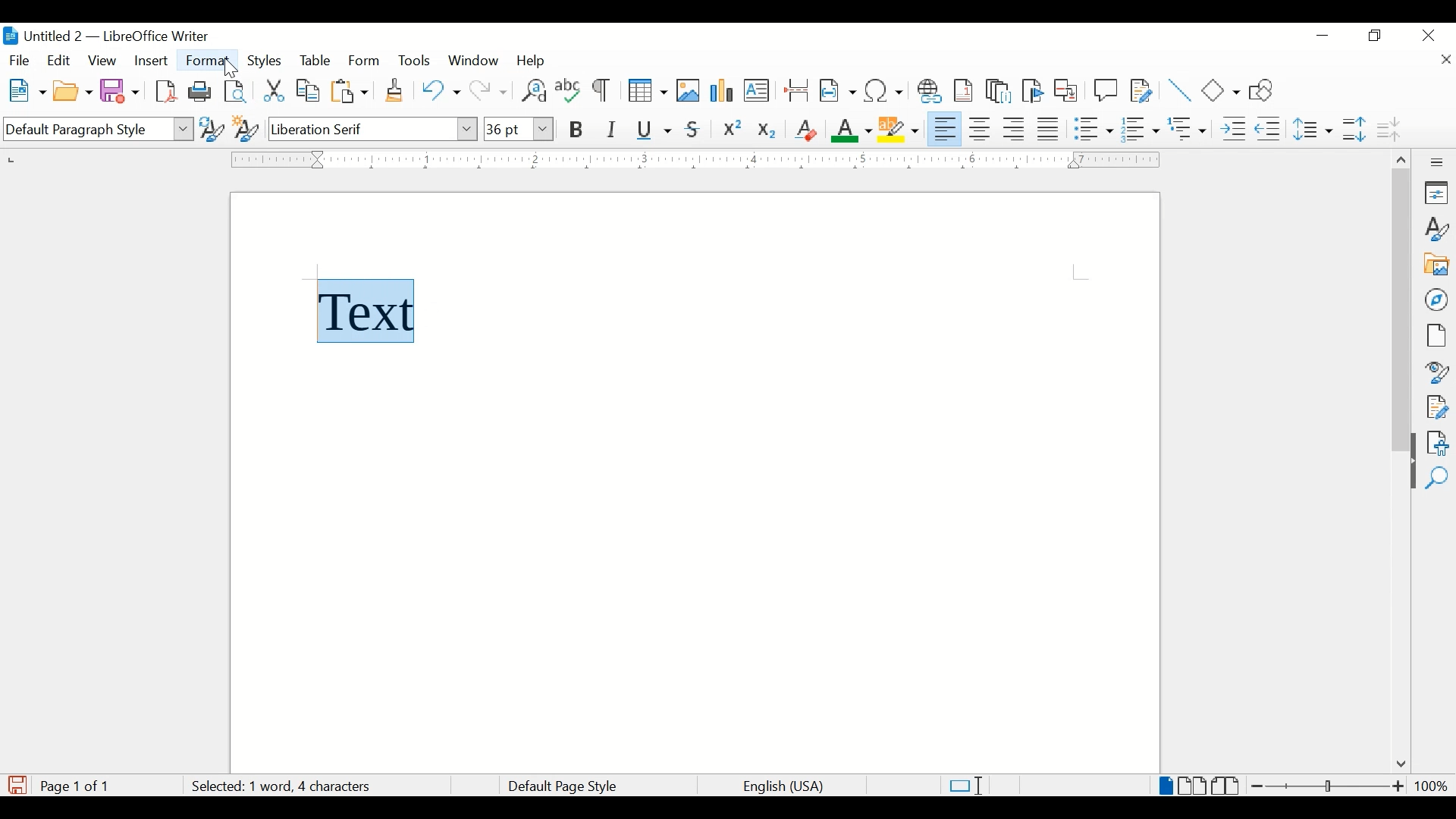 This screenshot has height=819, width=1456. I want to click on decrease indent, so click(1269, 128).